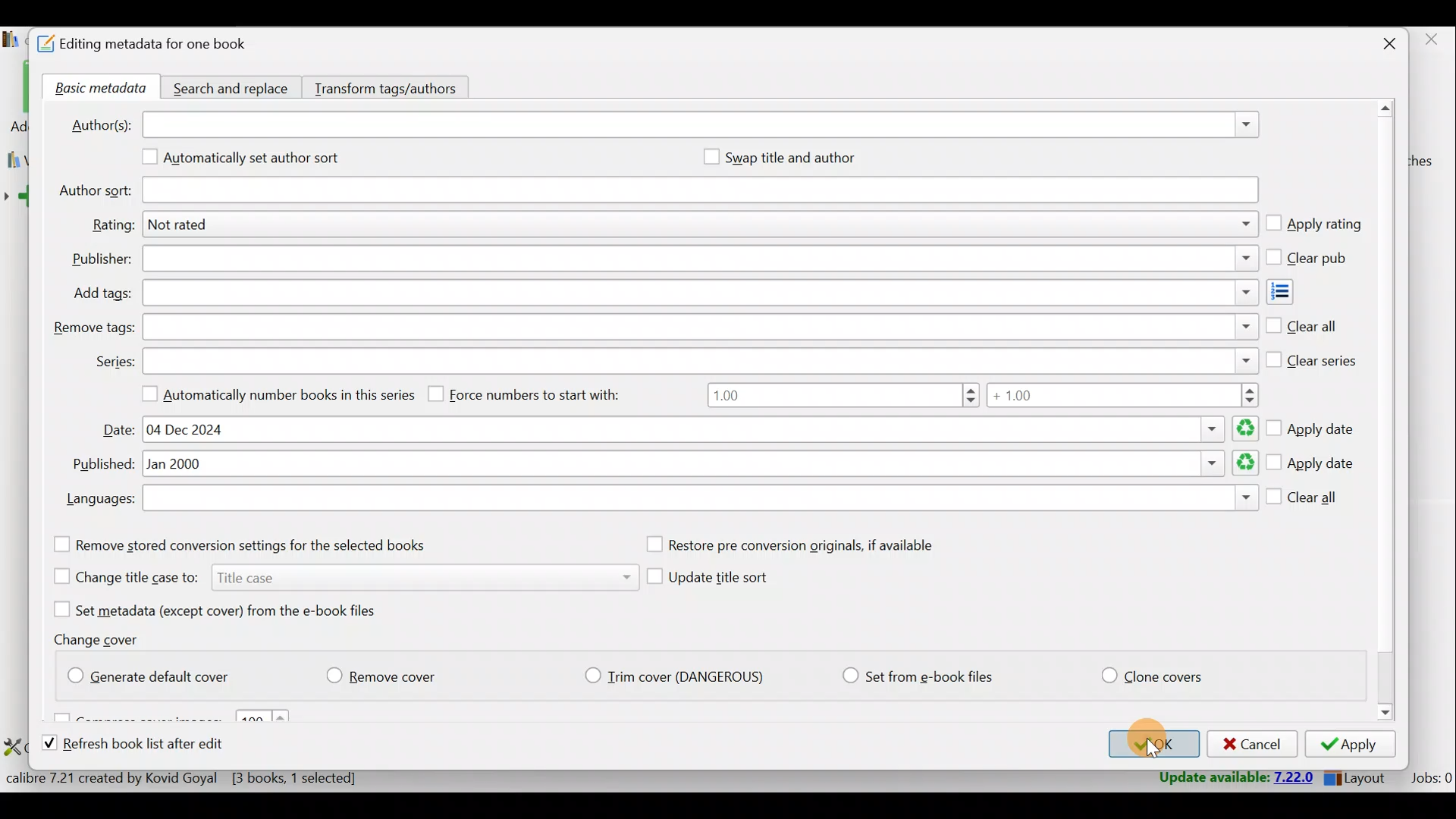 The height and width of the screenshot is (819, 1456). Describe the element at coordinates (391, 673) in the screenshot. I see `Remove cover` at that location.